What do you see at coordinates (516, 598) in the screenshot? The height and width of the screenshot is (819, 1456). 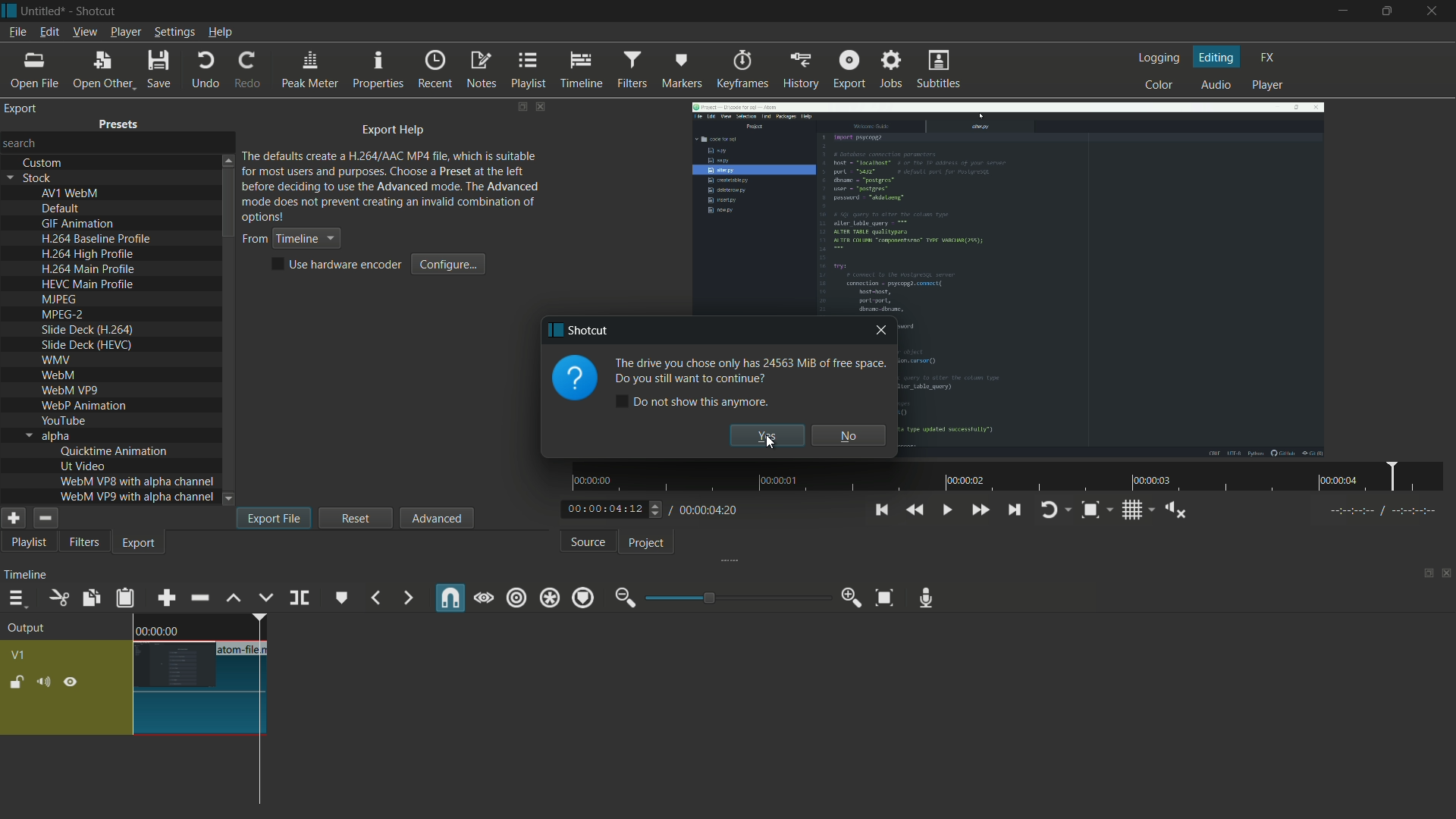 I see `ripple` at bounding box center [516, 598].